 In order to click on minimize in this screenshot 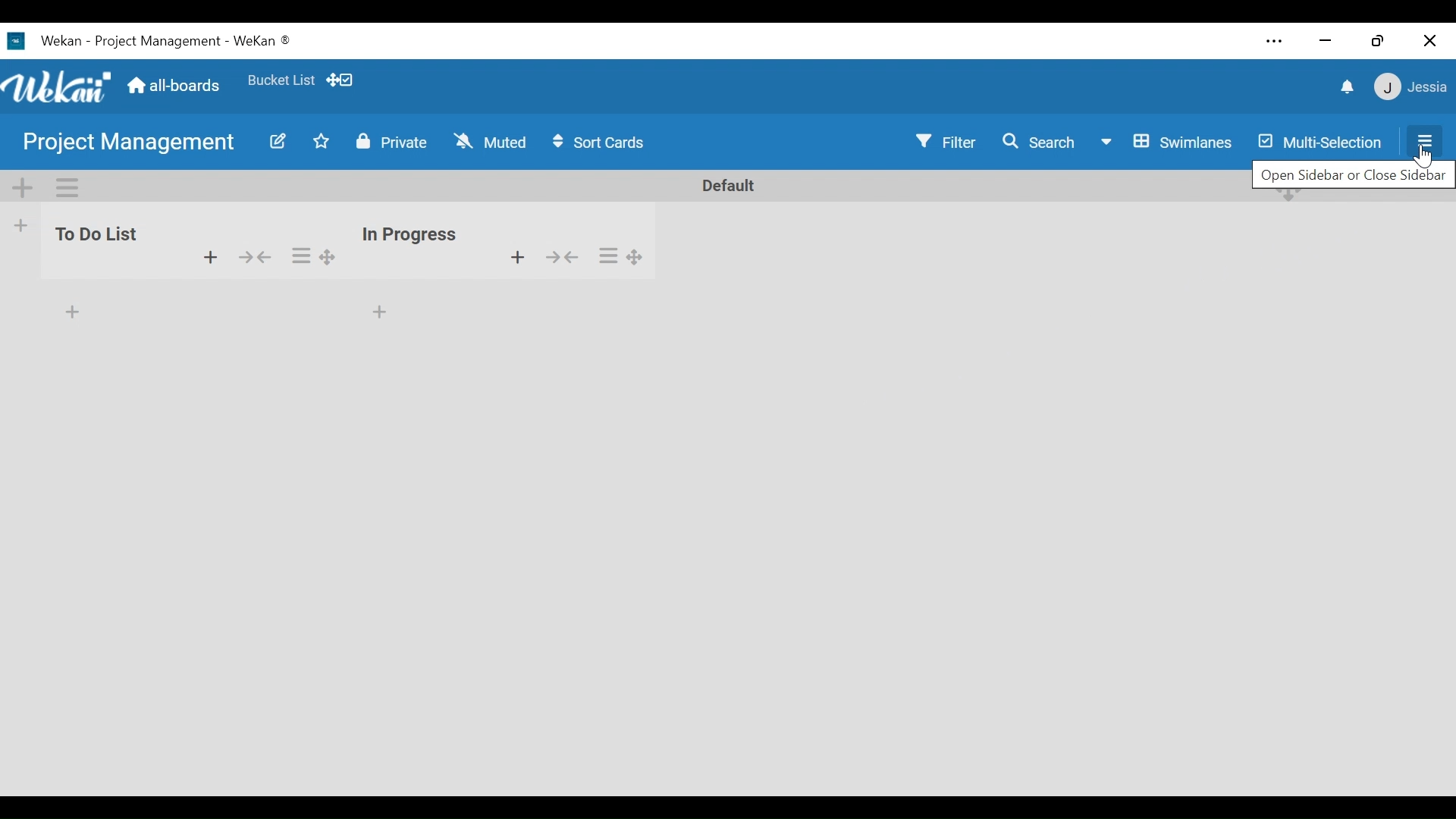, I will do `click(1325, 42)`.